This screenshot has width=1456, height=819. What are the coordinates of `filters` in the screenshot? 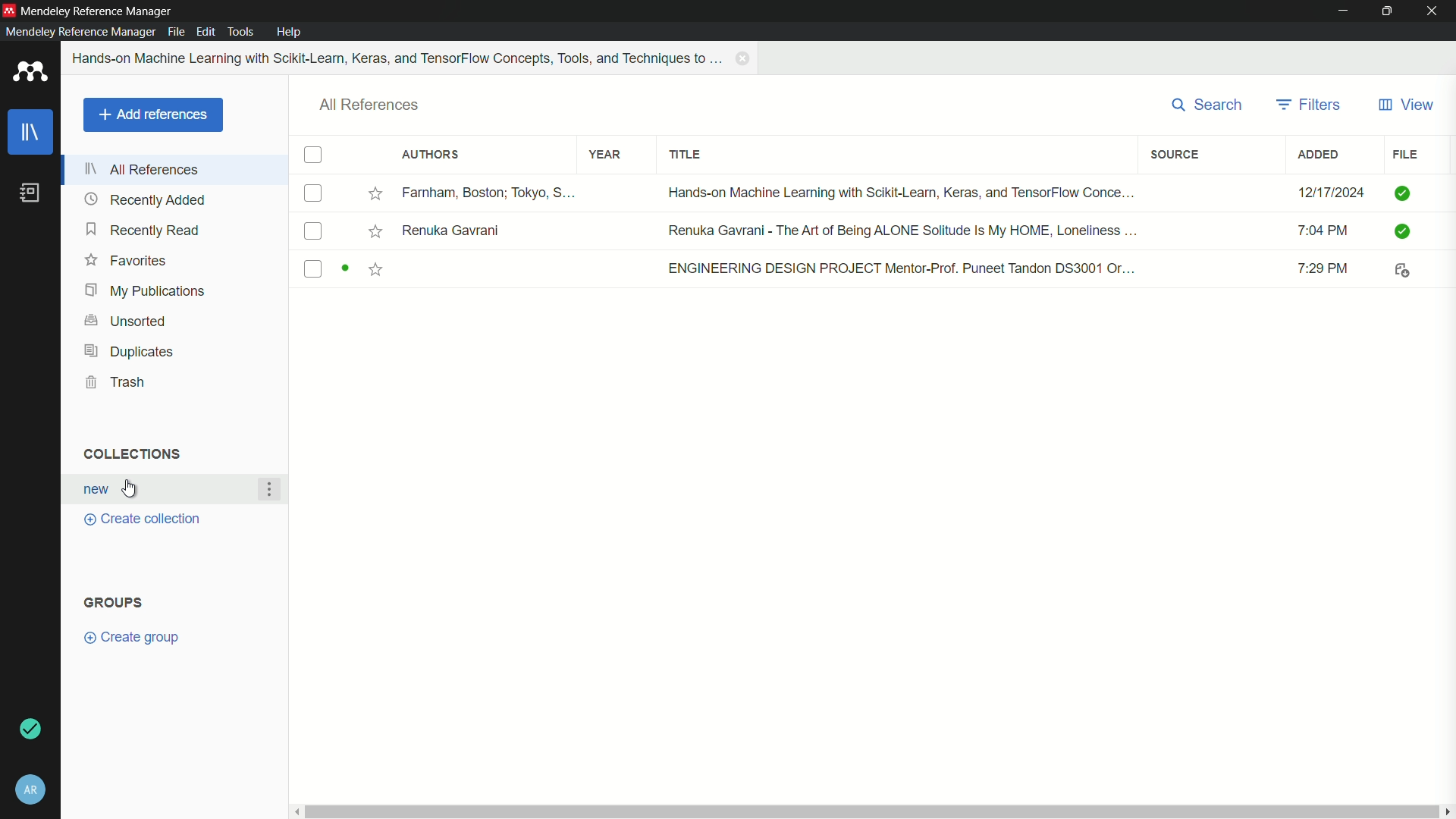 It's located at (1308, 105).